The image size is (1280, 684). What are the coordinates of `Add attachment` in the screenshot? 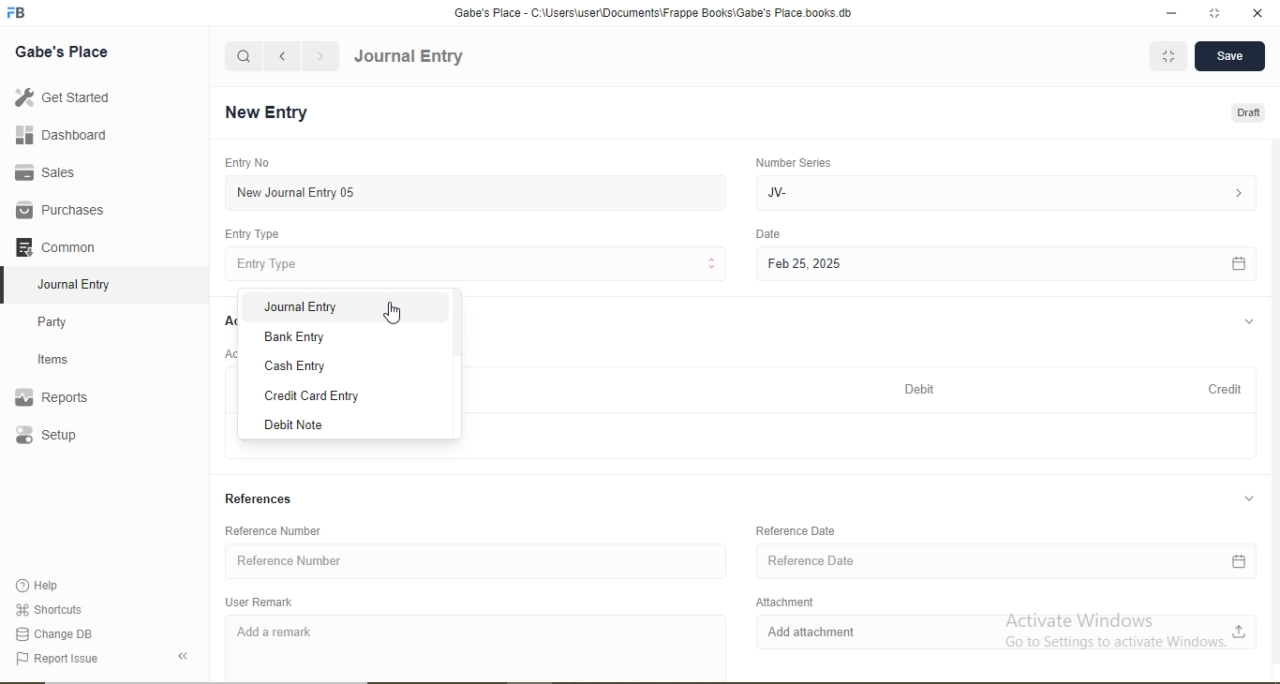 It's located at (1006, 632).